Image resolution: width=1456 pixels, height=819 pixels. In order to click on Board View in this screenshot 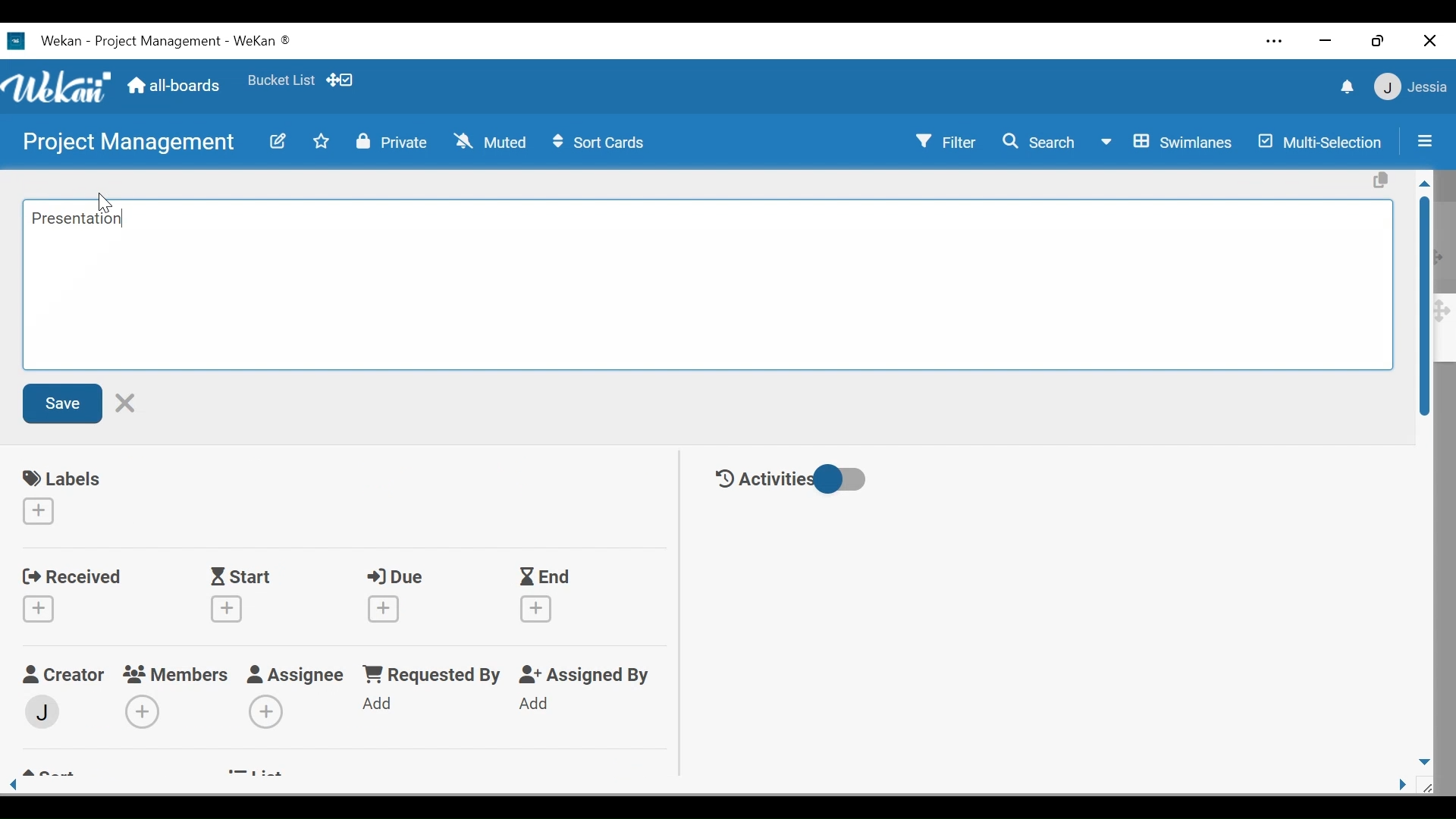, I will do `click(1164, 143)`.